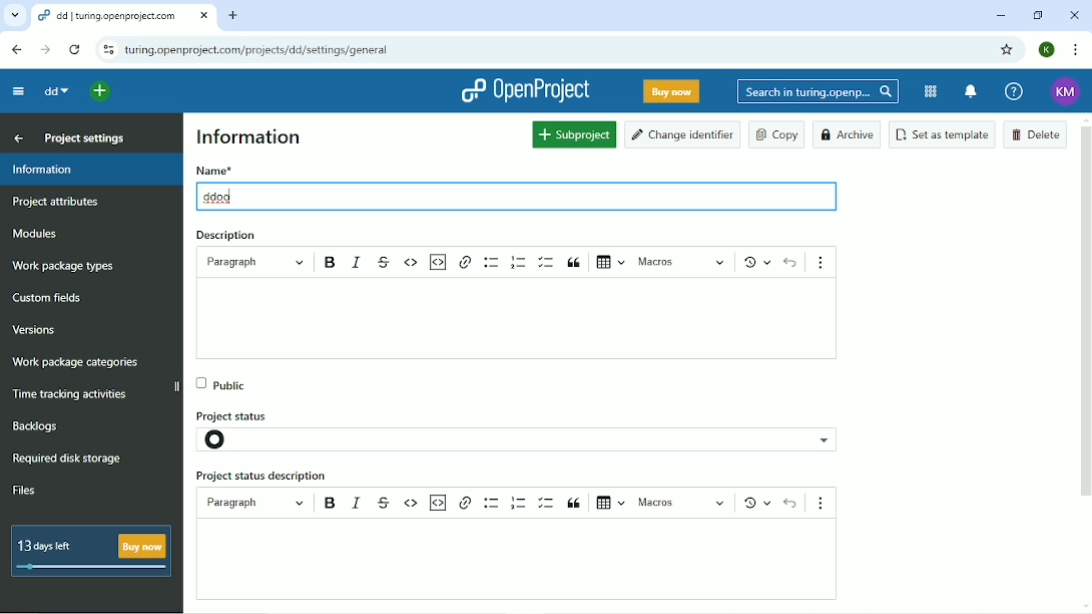 This screenshot has height=614, width=1092. What do you see at coordinates (249, 136) in the screenshot?
I see `Information` at bounding box center [249, 136].